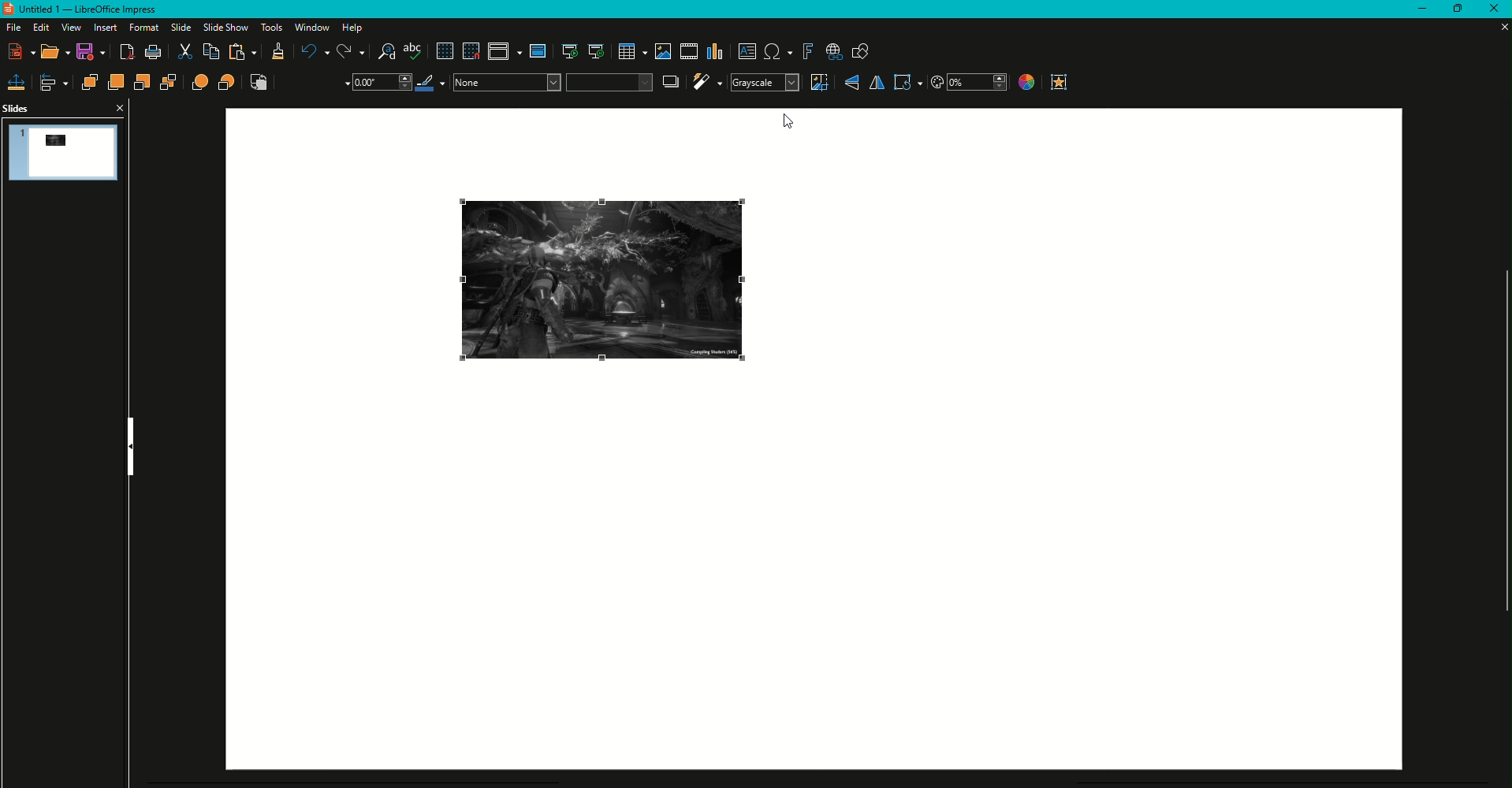 The height and width of the screenshot is (788, 1512). What do you see at coordinates (23, 51) in the screenshot?
I see `New` at bounding box center [23, 51].